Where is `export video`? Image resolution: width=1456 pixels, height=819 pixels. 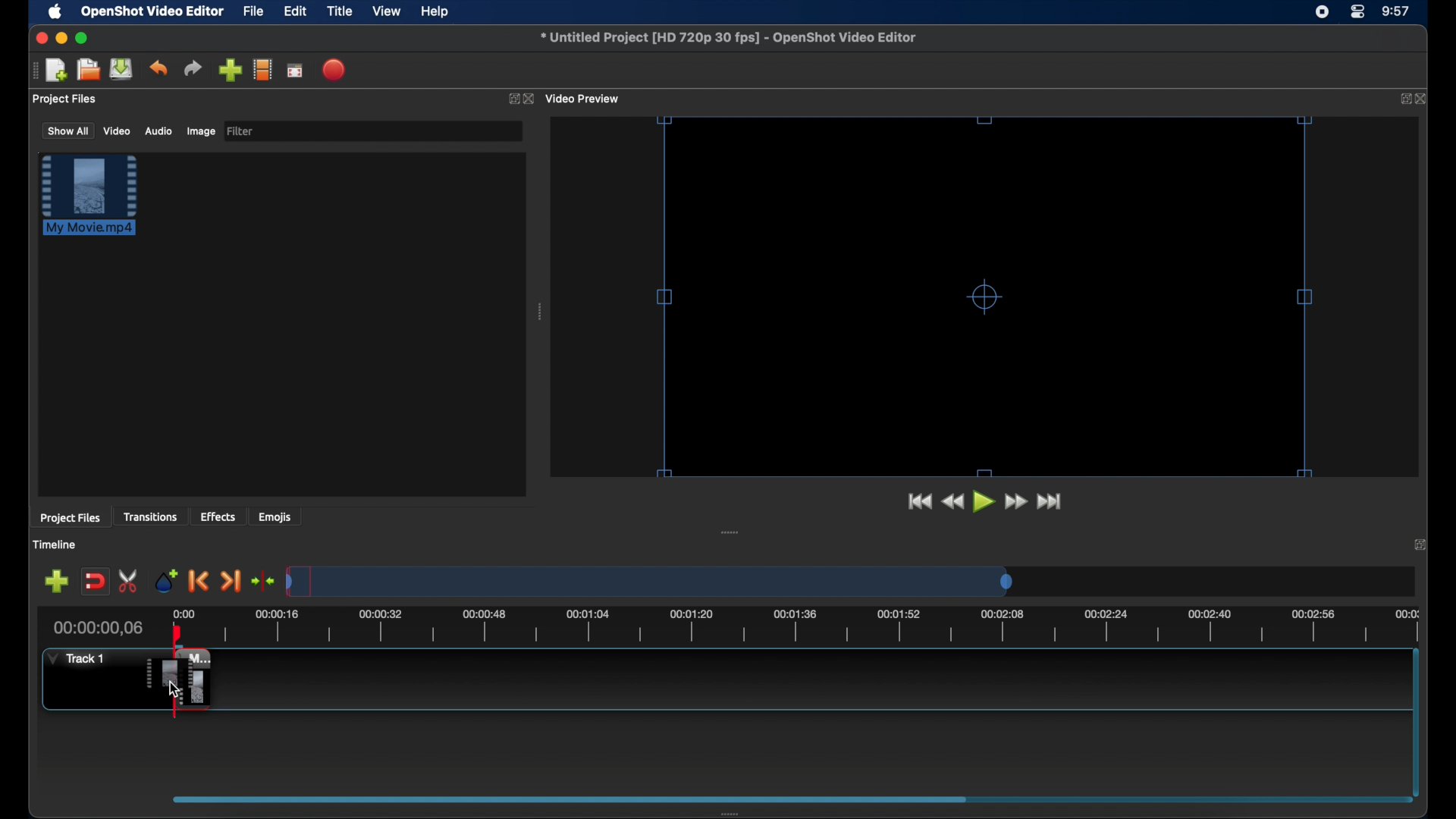
export video is located at coordinates (335, 70).